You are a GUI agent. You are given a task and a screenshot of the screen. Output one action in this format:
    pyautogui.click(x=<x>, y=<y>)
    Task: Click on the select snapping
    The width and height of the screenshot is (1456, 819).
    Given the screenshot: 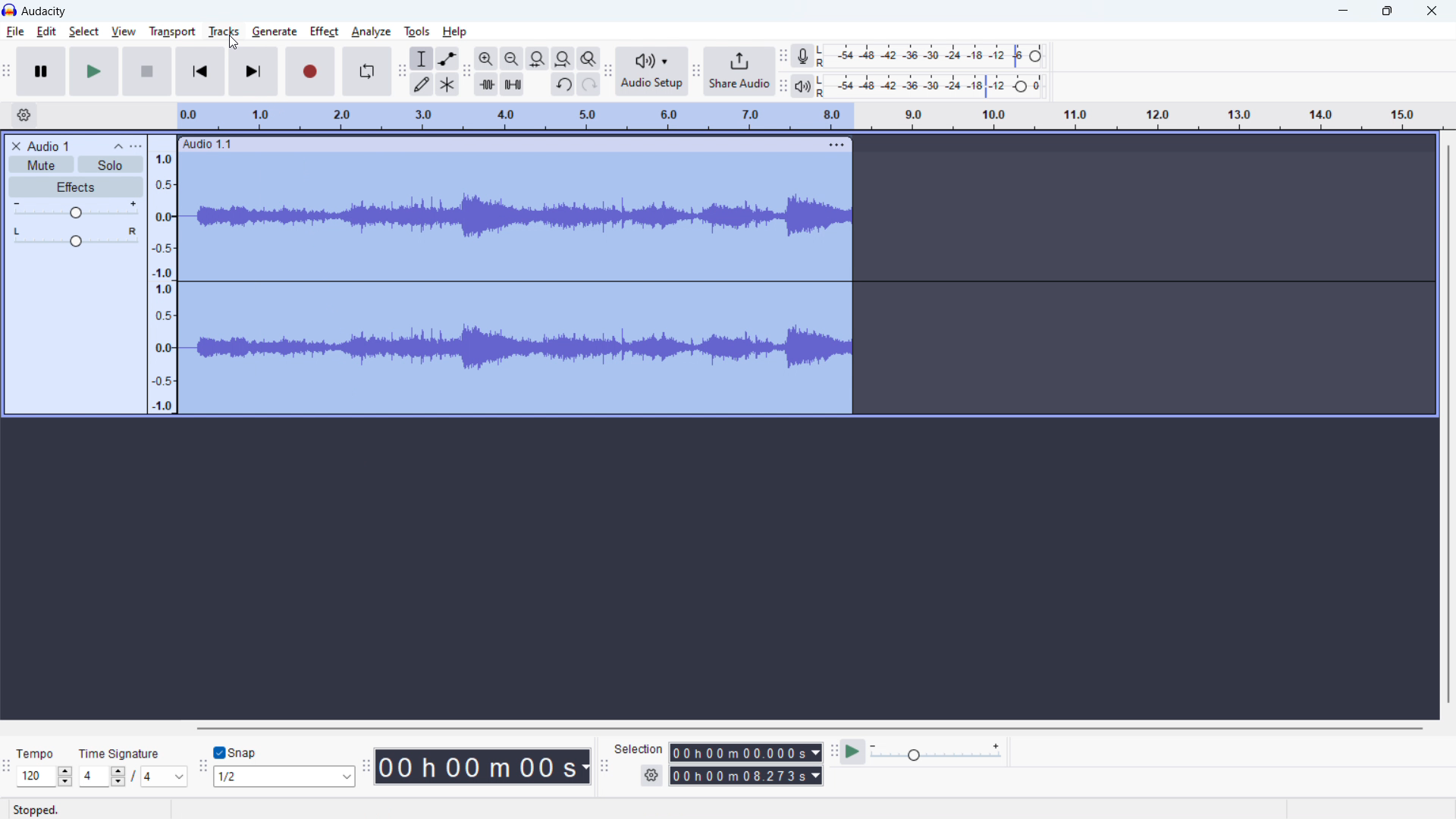 What is the action you would take?
    pyautogui.click(x=284, y=776)
    